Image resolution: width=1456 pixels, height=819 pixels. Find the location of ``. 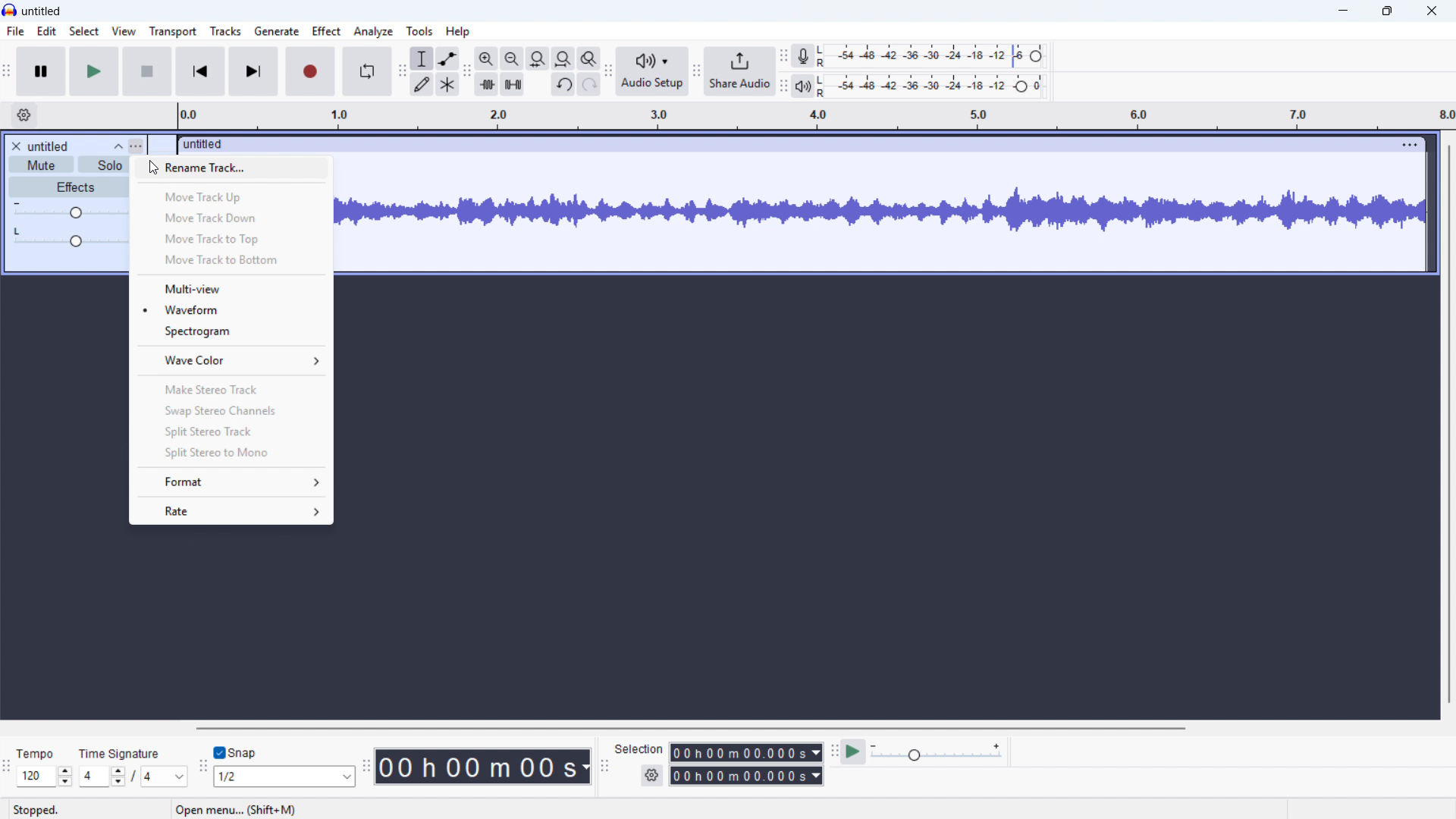

 is located at coordinates (563, 59).